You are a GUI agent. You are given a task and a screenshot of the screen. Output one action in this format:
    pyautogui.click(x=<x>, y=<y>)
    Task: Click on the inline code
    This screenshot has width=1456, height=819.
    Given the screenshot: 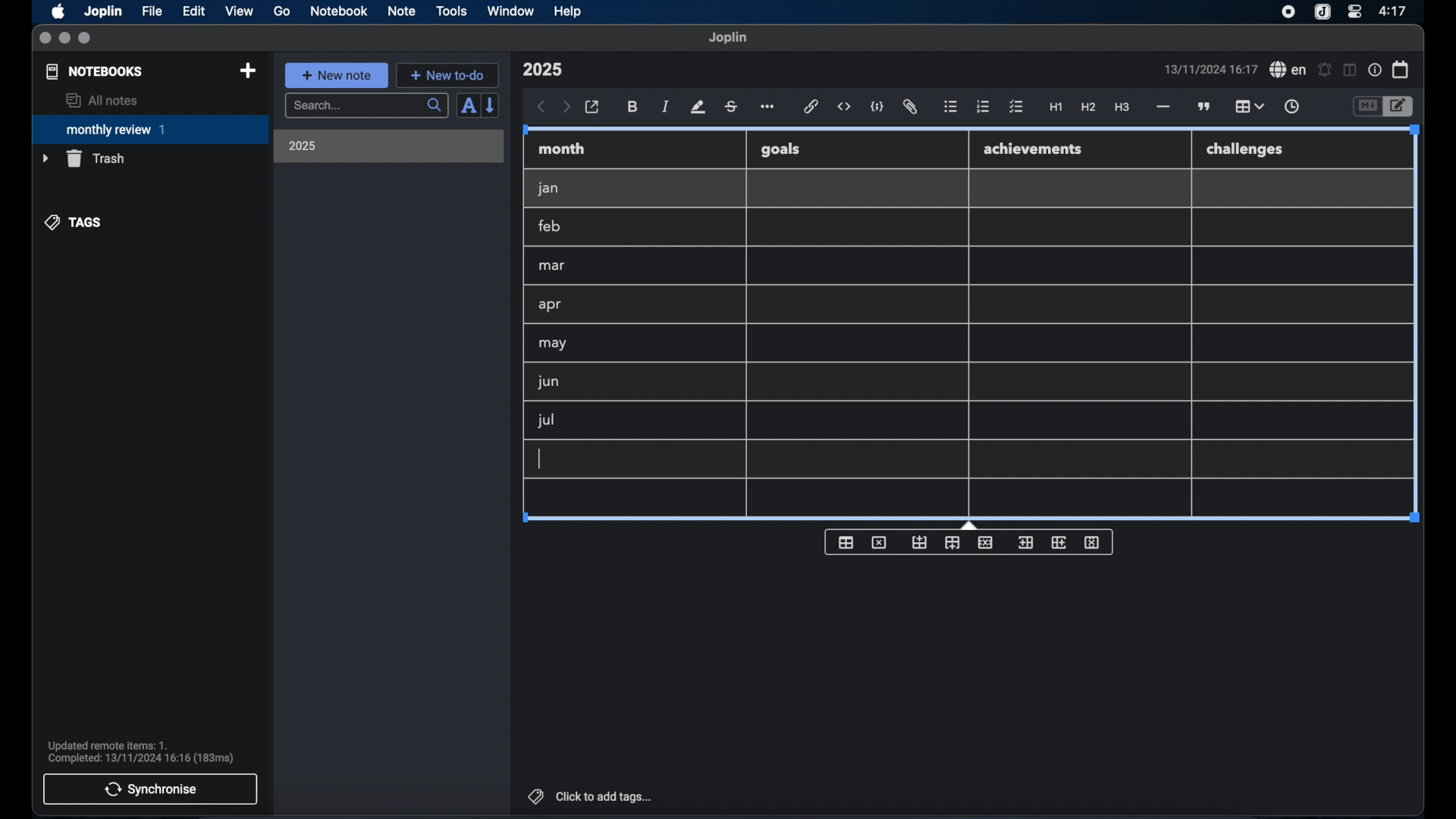 What is the action you would take?
    pyautogui.click(x=844, y=107)
    